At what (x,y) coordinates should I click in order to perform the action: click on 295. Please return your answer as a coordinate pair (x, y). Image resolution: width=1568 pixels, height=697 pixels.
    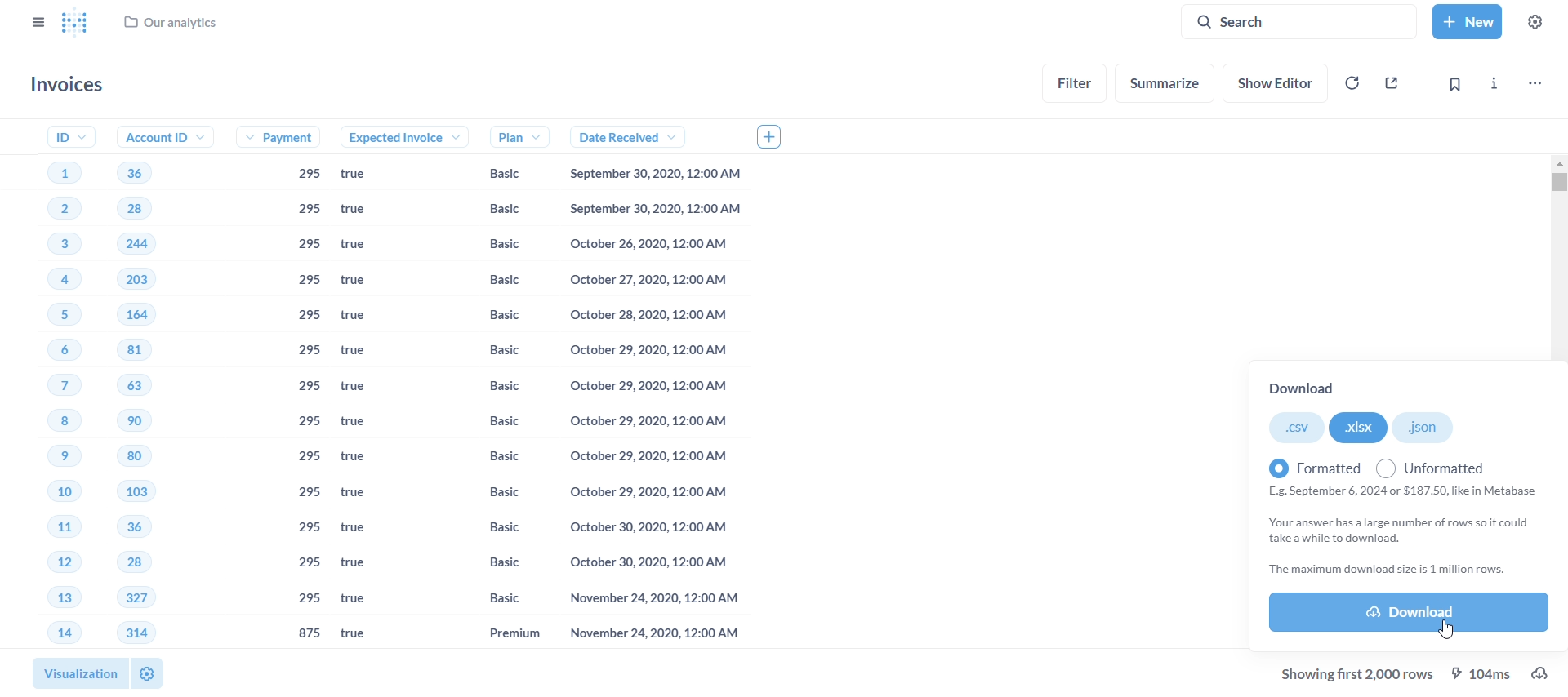
    Looking at the image, I should click on (308, 527).